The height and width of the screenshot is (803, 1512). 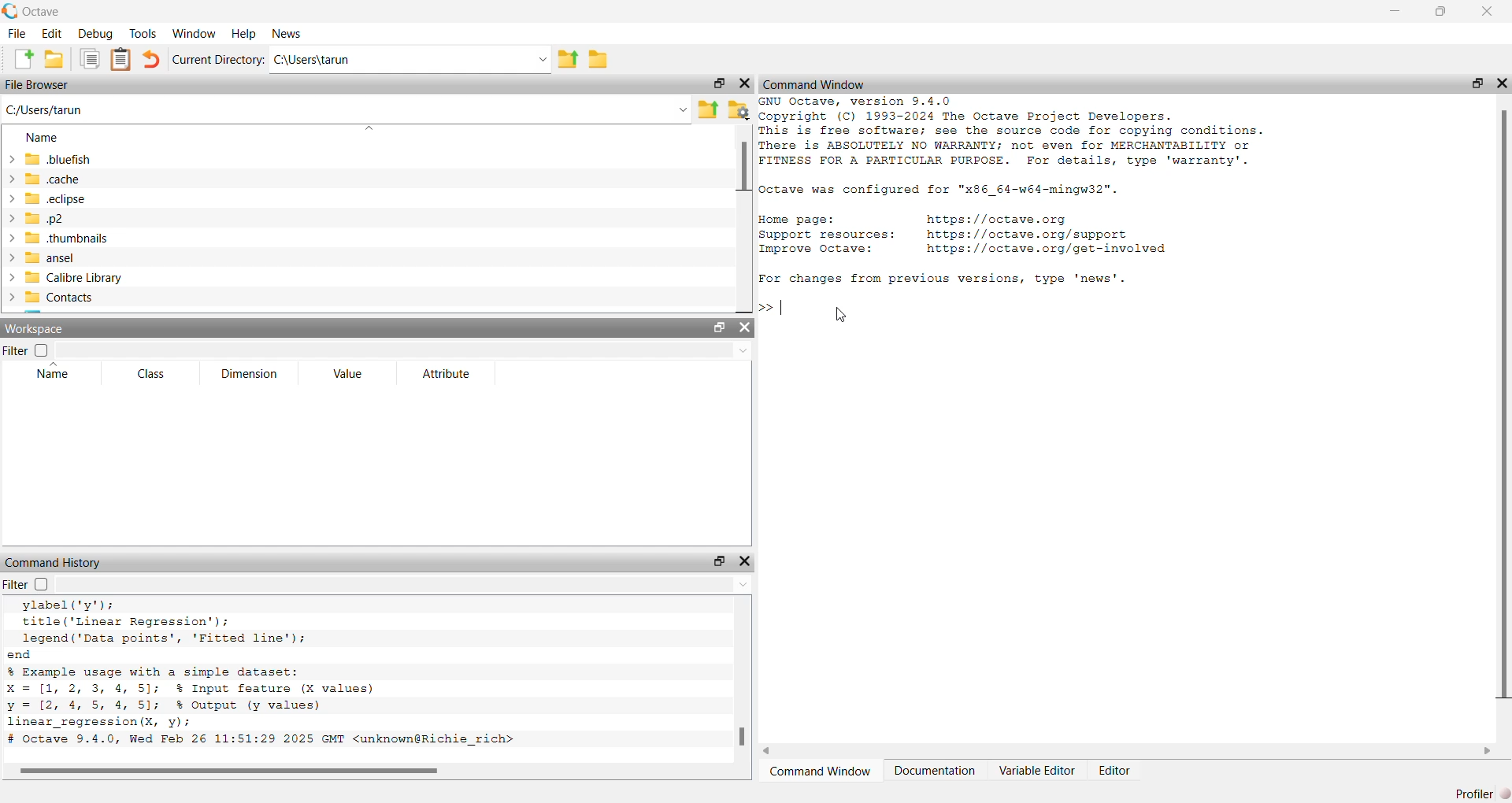 What do you see at coordinates (710, 109) in the screenshot?
I see `one directory up` at bounding box center [710, 109].